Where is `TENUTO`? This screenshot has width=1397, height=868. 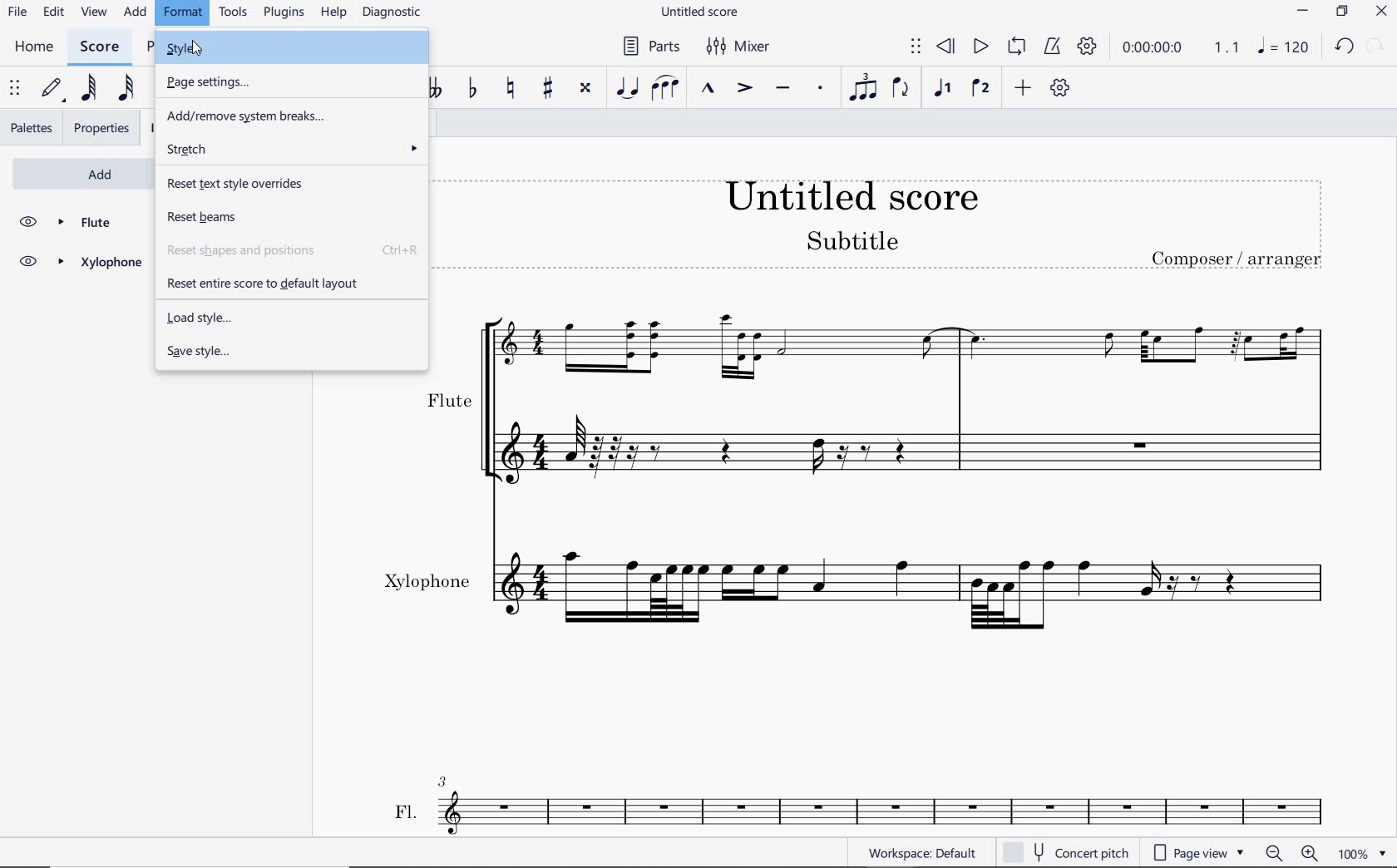 TENUTO is located at coordinates (786, 89).